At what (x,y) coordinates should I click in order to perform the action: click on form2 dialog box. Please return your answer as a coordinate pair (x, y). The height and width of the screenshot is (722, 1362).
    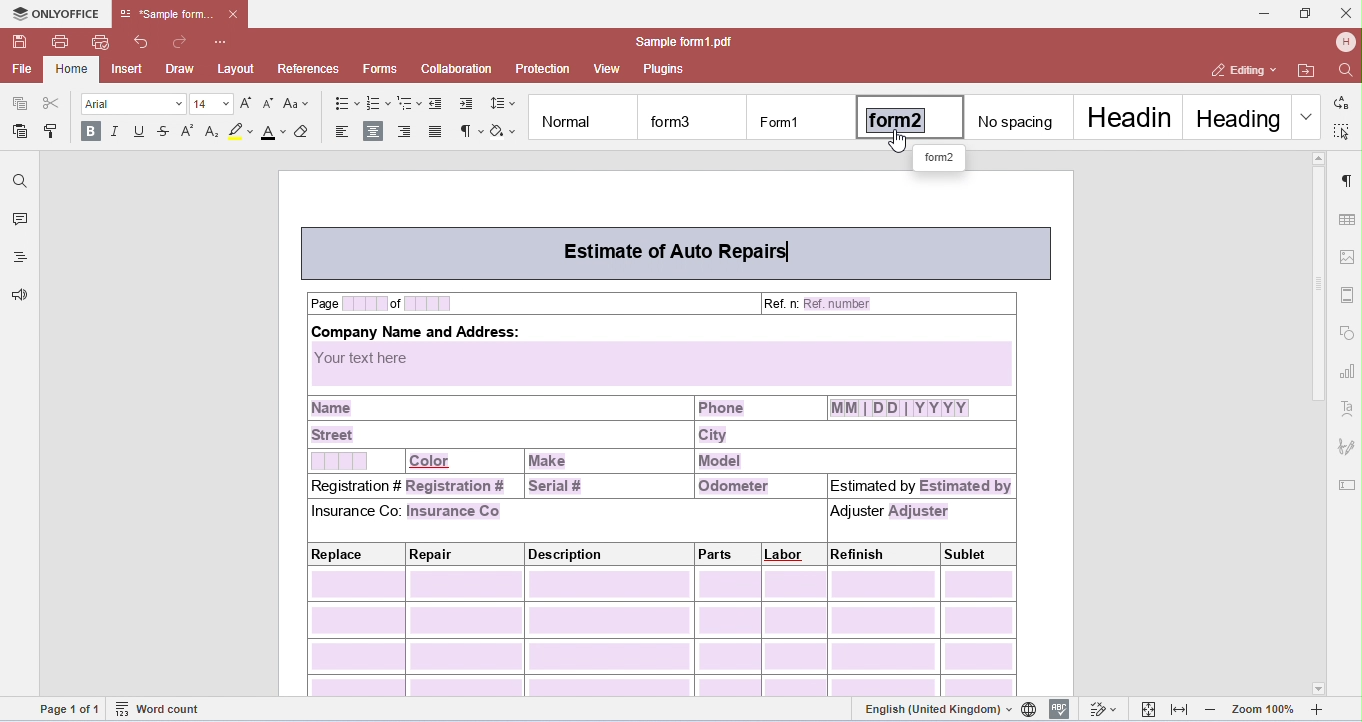
    Looking at the image, I should click on (940, 159).